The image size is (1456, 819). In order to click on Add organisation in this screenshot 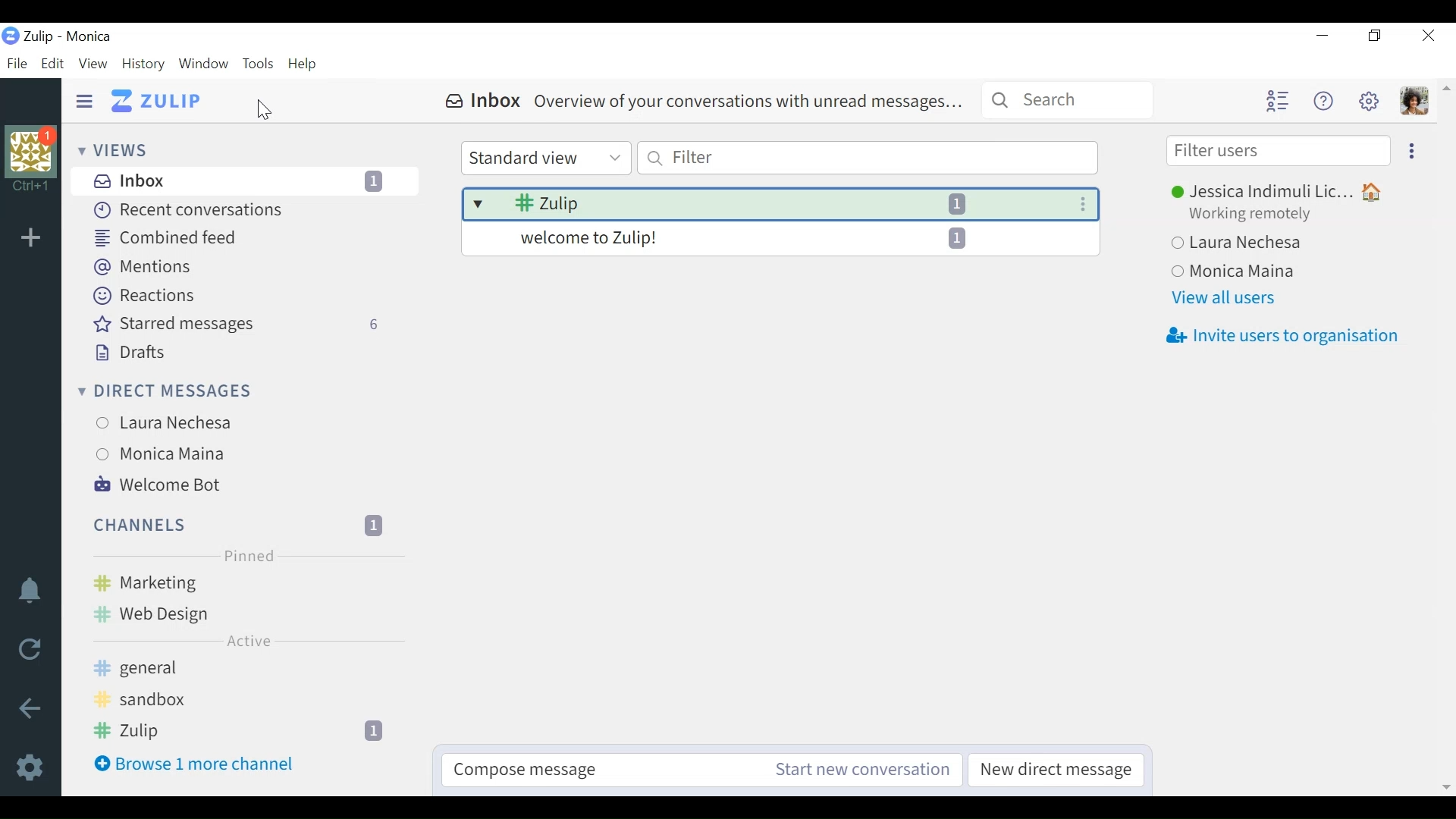, I will do `click(35, 238)`.